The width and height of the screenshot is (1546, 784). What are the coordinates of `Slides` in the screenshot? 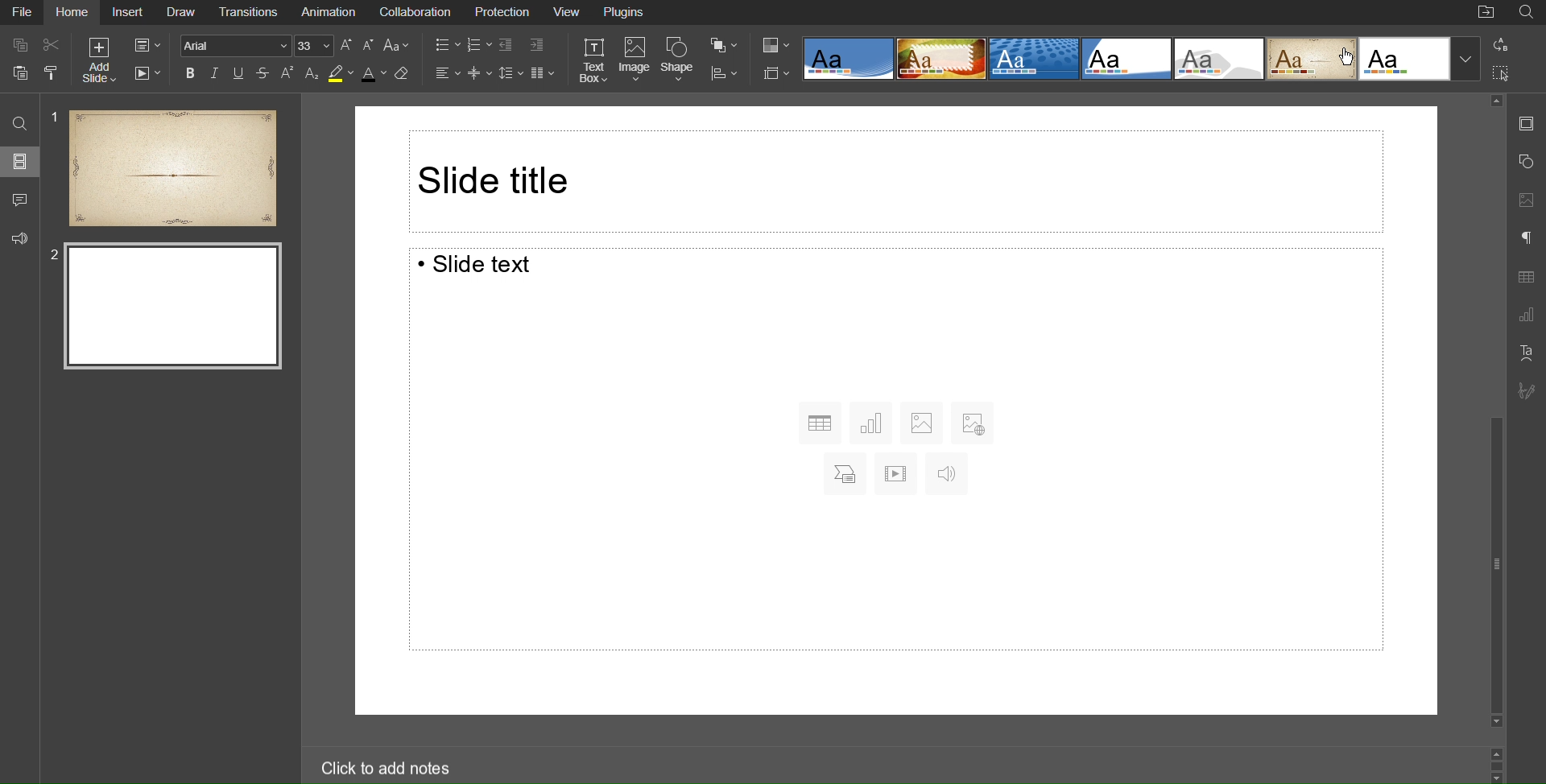 It's located at (19, 161).